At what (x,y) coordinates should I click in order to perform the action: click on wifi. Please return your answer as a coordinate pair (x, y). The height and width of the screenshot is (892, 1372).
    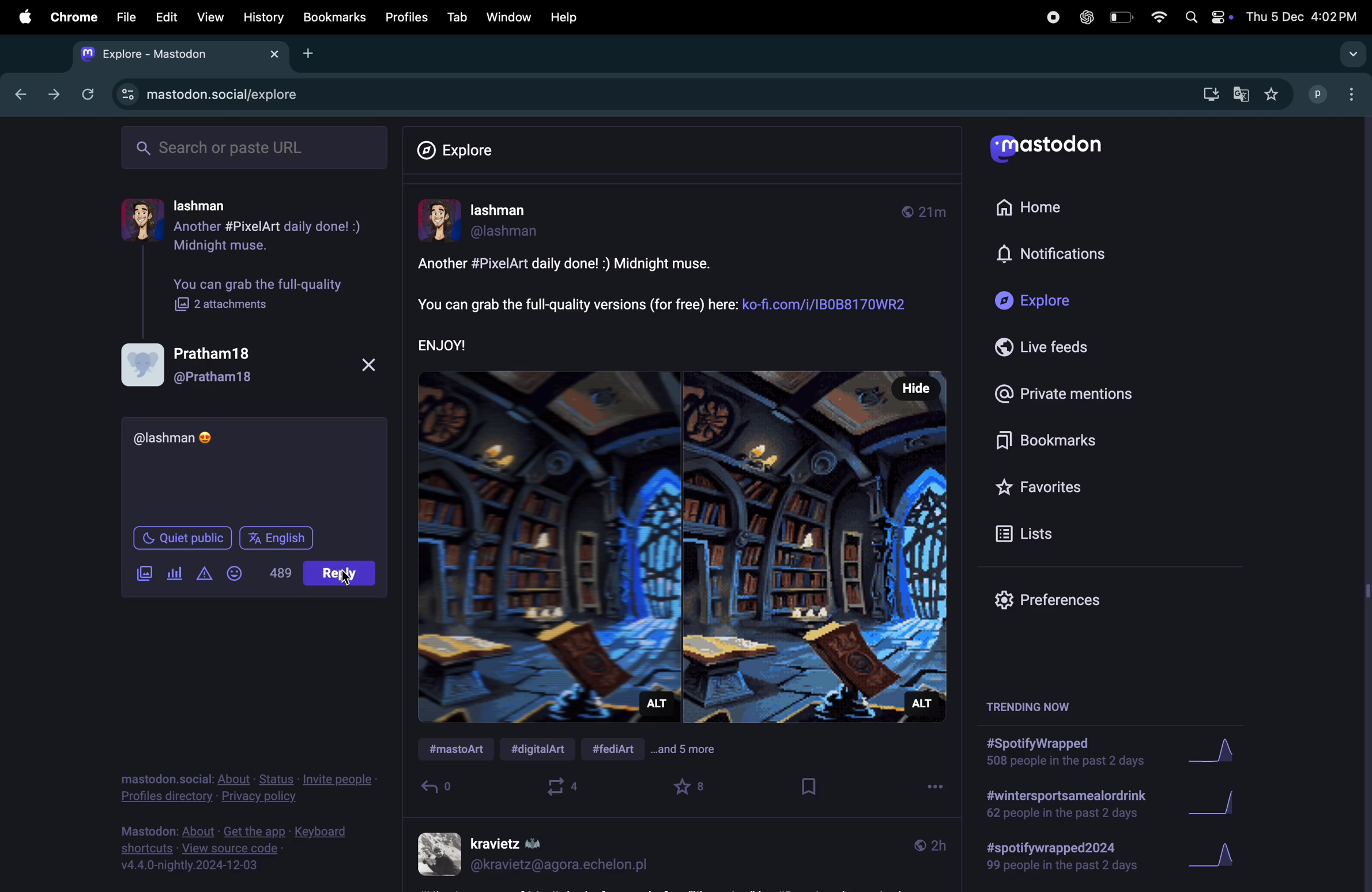
    Looking at the image, I should click on (1155, 16).